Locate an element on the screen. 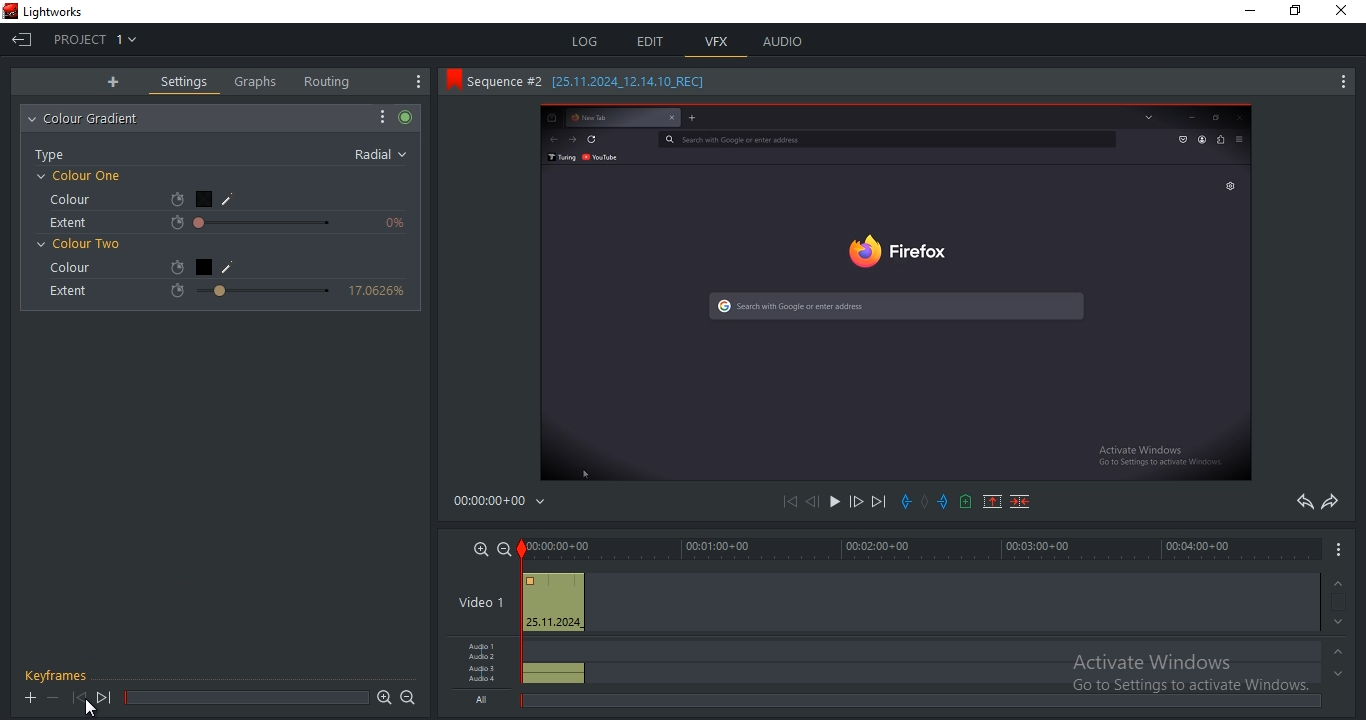 The width and height of the screenshot is (1366, 720). 17.0626% is located at coordinates (380, 296).